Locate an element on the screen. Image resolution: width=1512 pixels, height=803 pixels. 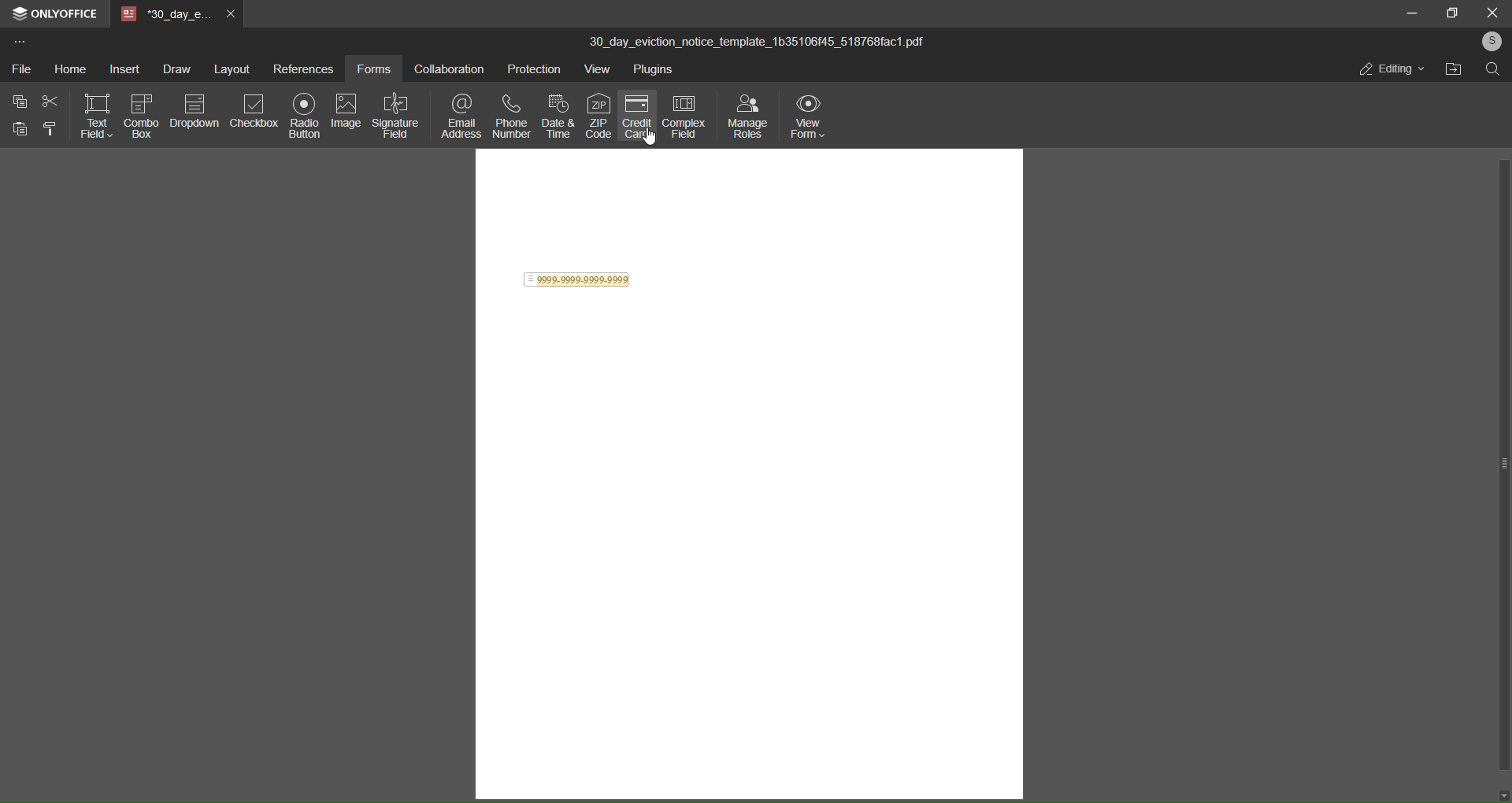
phone number is located at coordinates (510, 116).